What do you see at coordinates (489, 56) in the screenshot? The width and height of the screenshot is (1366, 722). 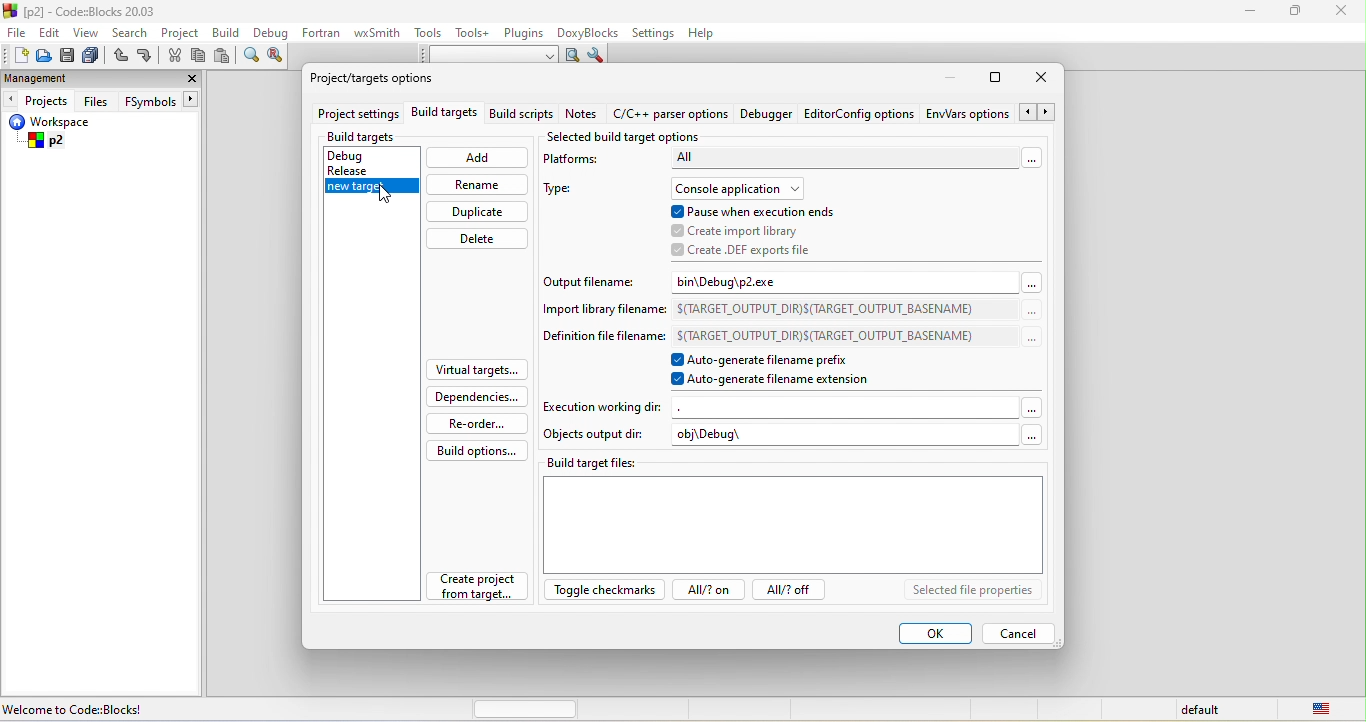 I see `text to search` at bounding box center [489, 56].